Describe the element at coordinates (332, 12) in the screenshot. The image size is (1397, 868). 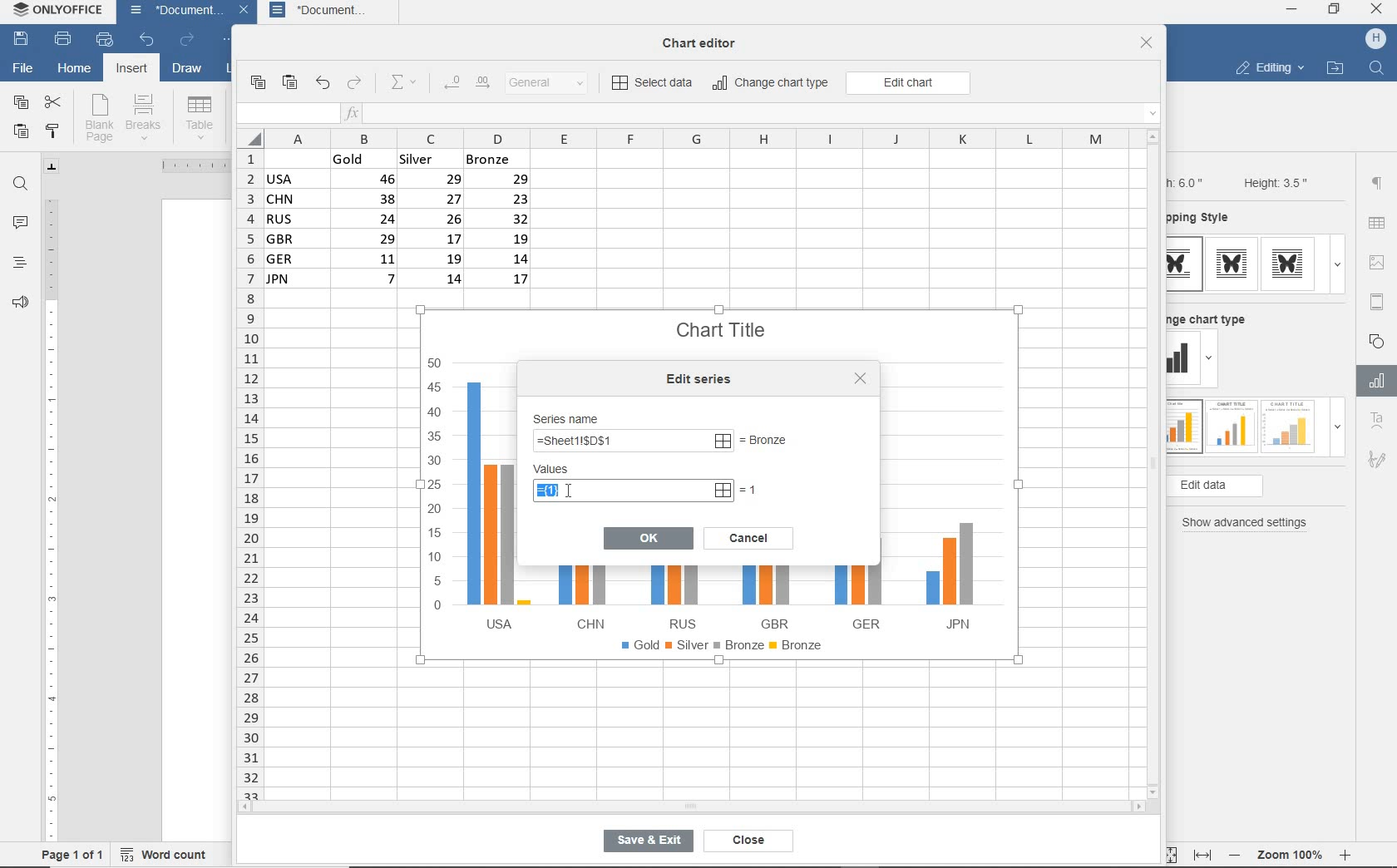
I see `document` at that location.